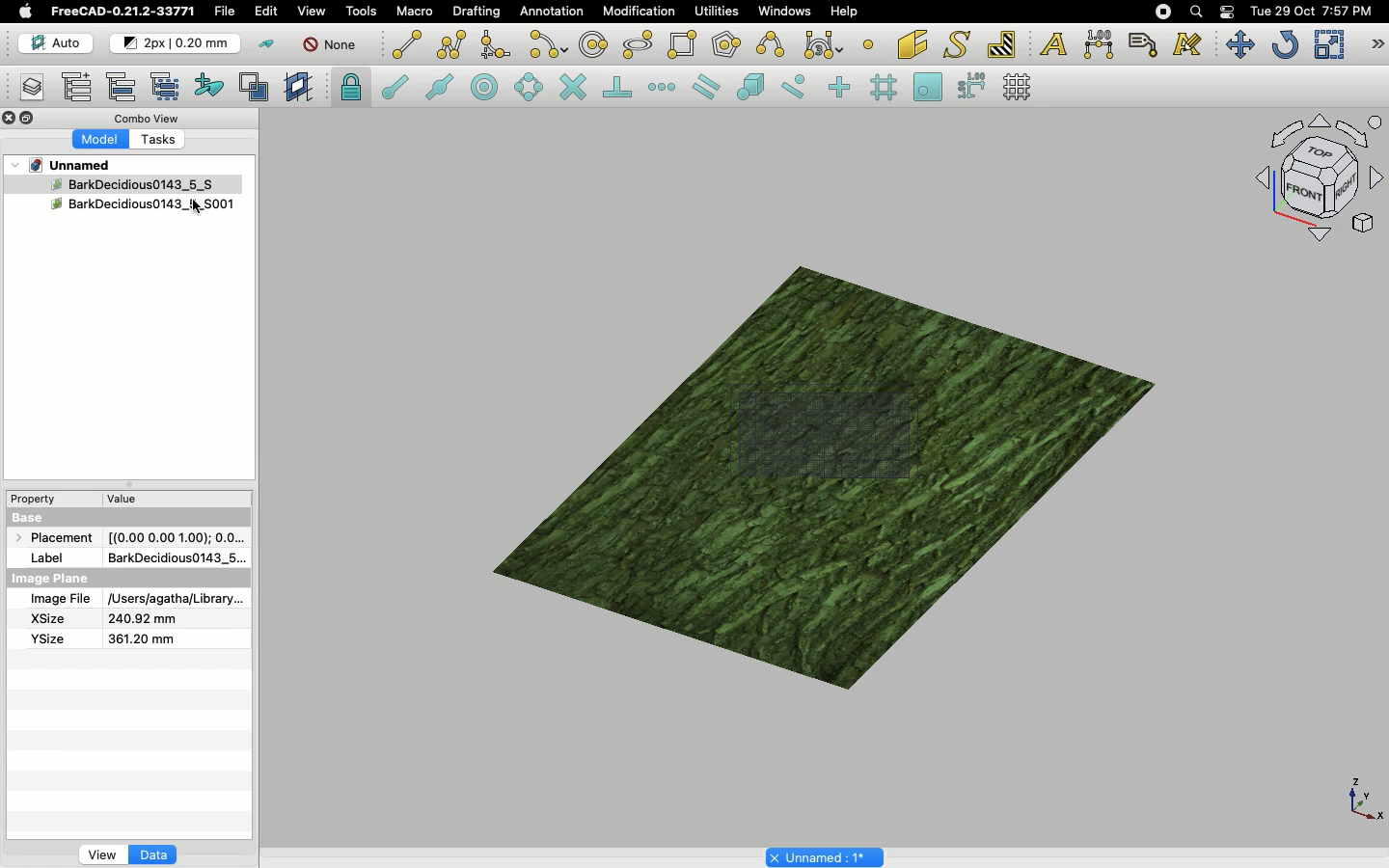 The height and width of the screenshot is (868, 1389). What do you see at coordinates (494, 47) in the screenshot?
I see `Fillet` at bounding box center [494, 47].